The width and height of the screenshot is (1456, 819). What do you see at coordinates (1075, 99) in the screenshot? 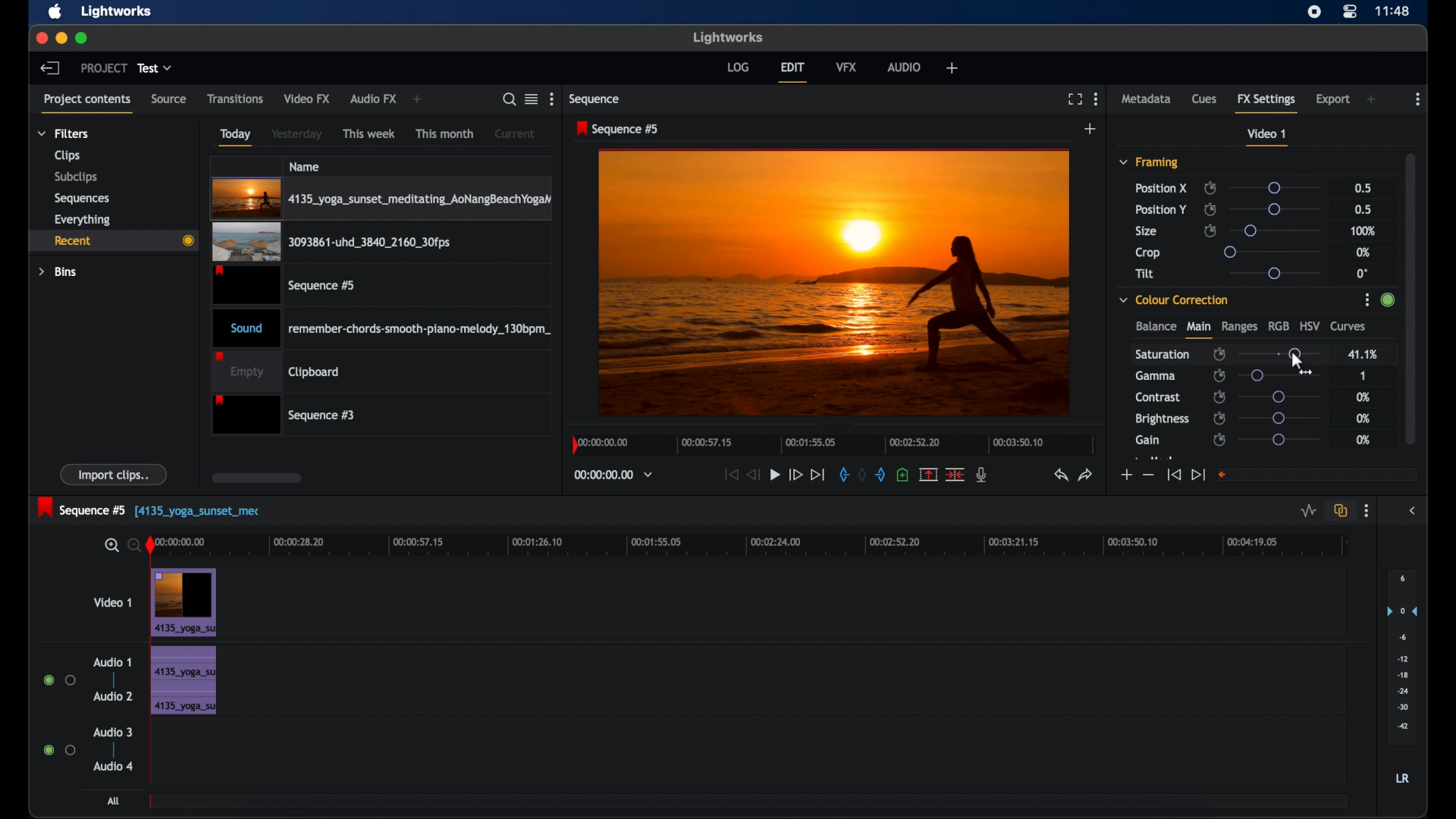
I see `full screen` at bounding box center [1075, 99].